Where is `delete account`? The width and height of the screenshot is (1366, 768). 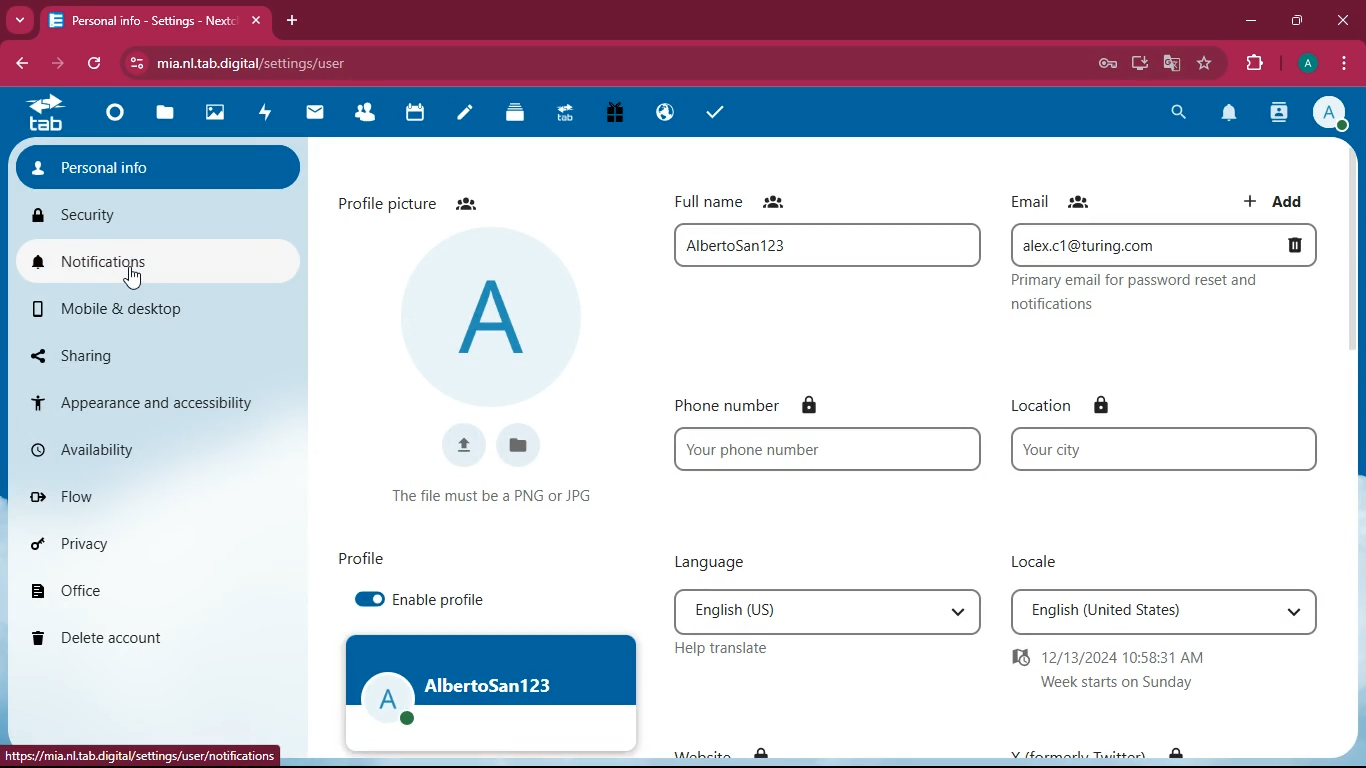 delete account is located at coordinates (153, 640).